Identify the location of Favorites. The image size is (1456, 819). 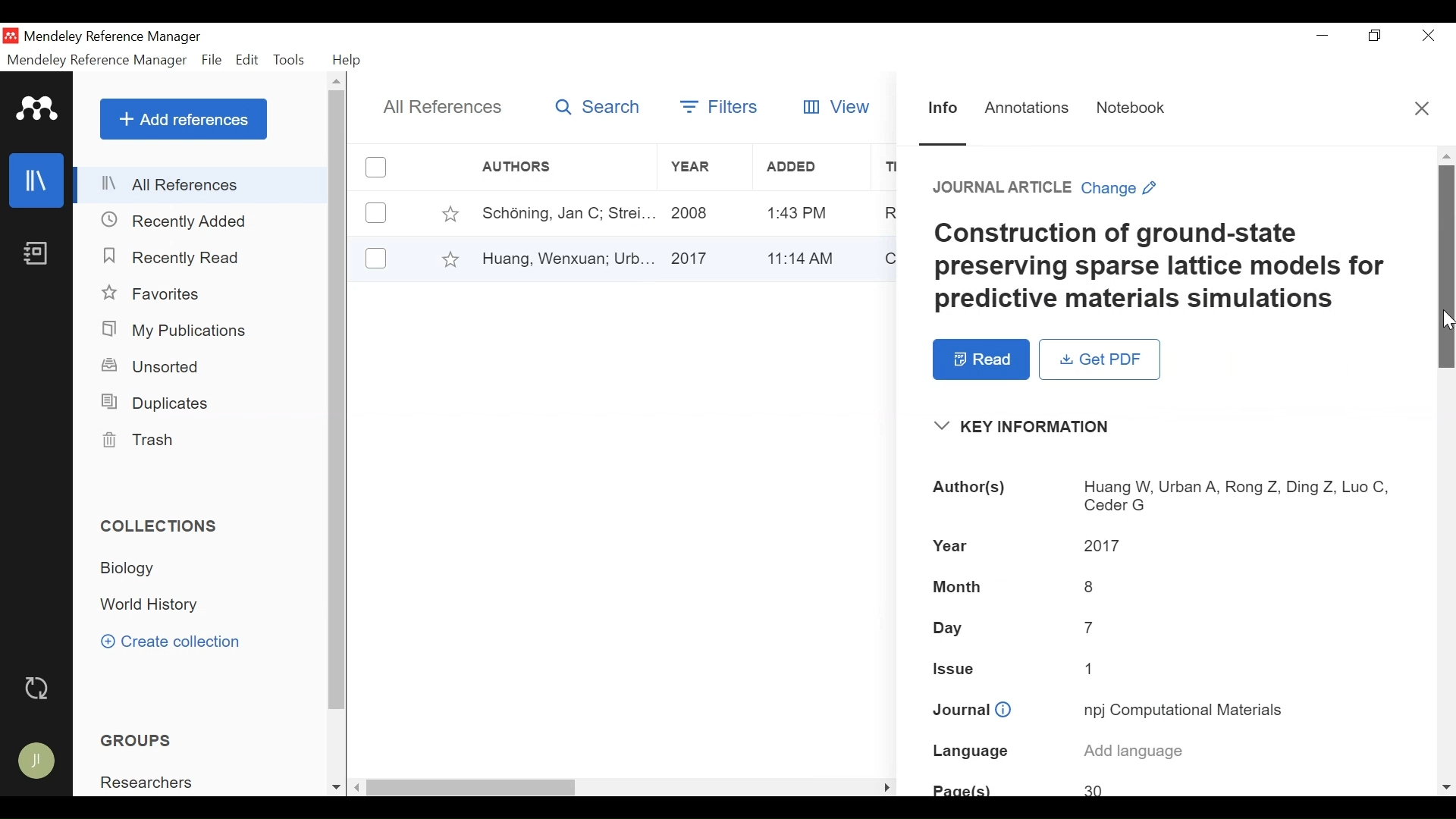
(156, 294).